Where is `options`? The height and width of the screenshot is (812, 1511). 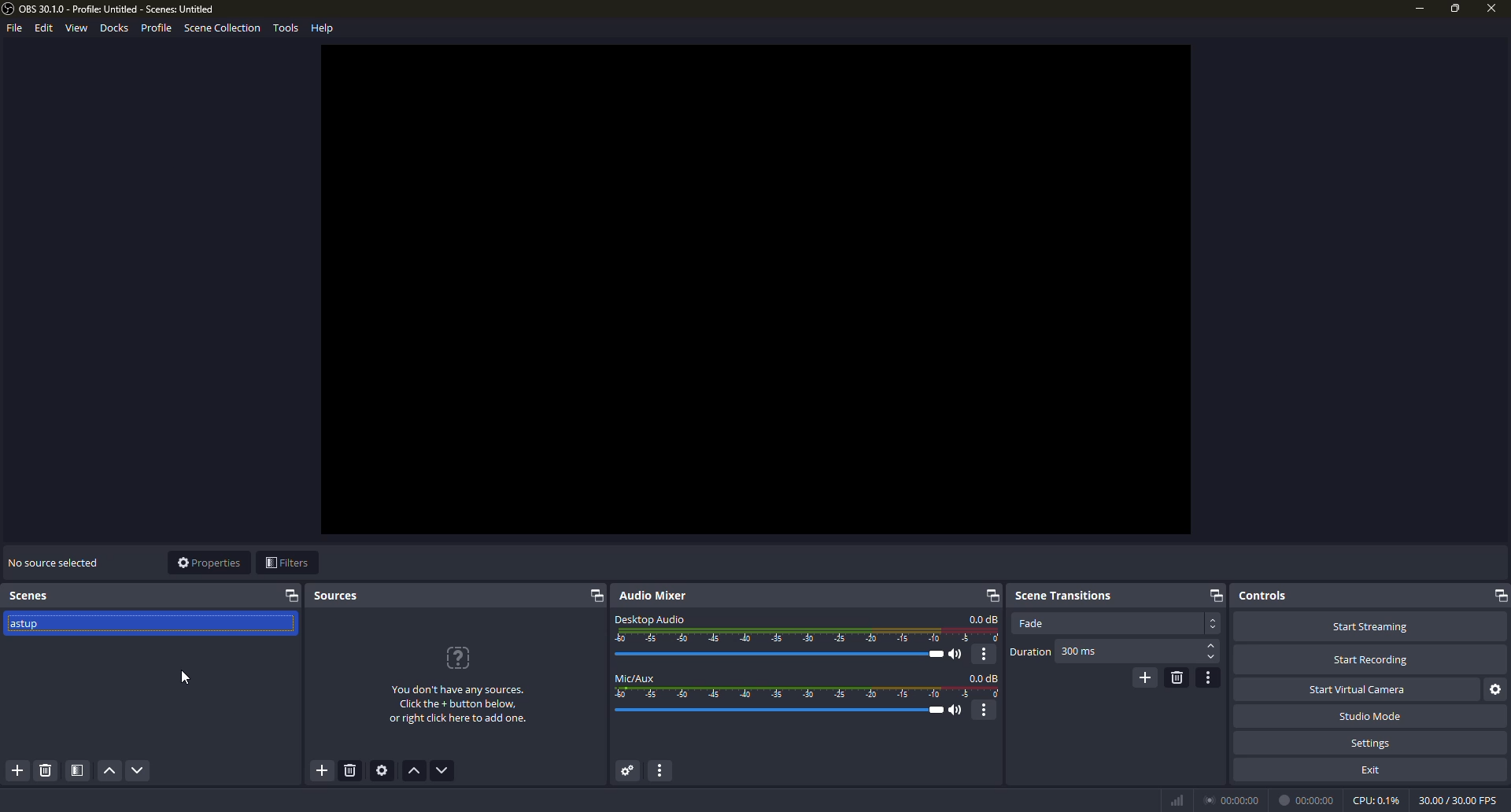
options is located at coordinates (986, 710).